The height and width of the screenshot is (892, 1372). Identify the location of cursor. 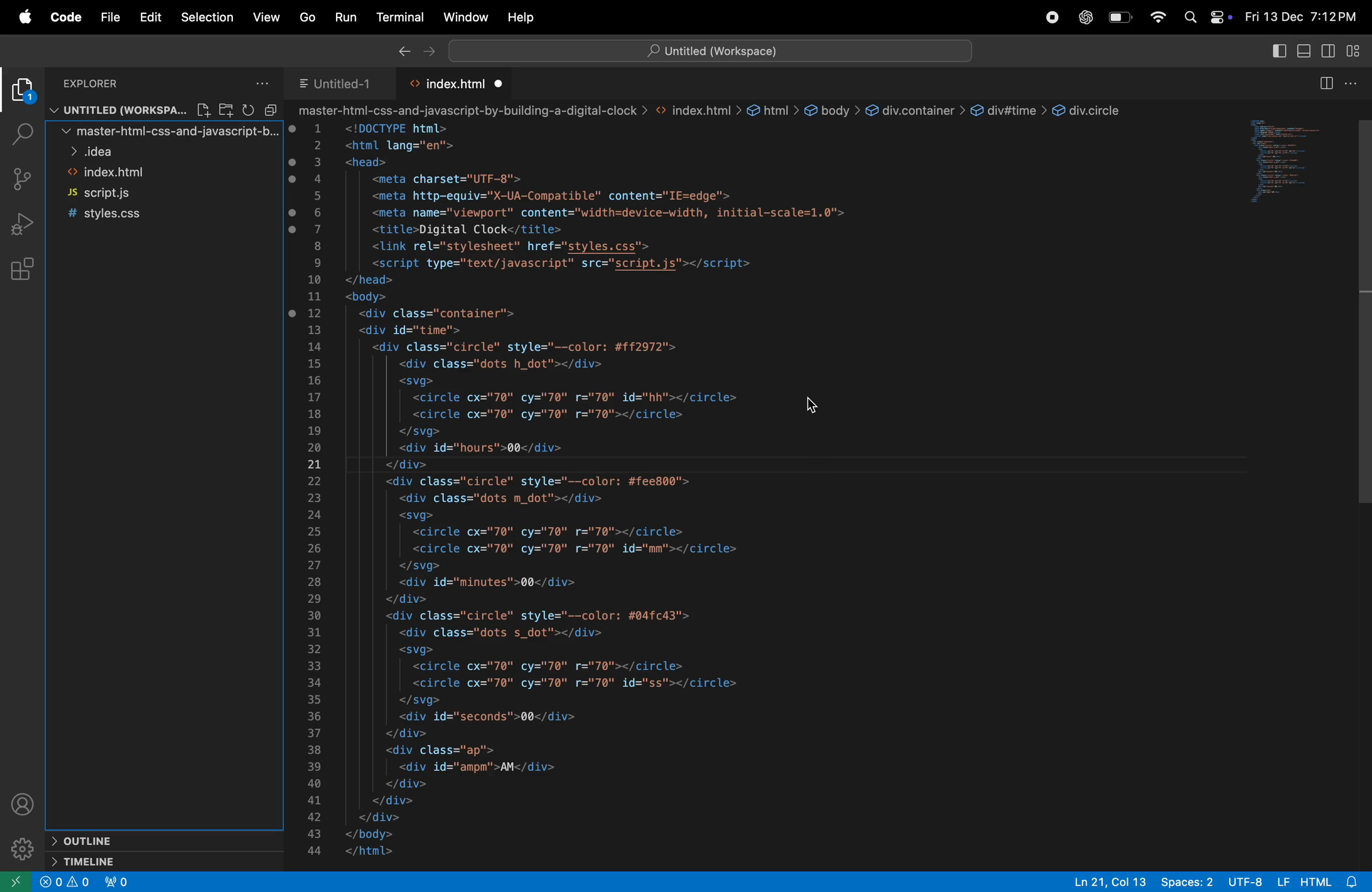
(813, 405).